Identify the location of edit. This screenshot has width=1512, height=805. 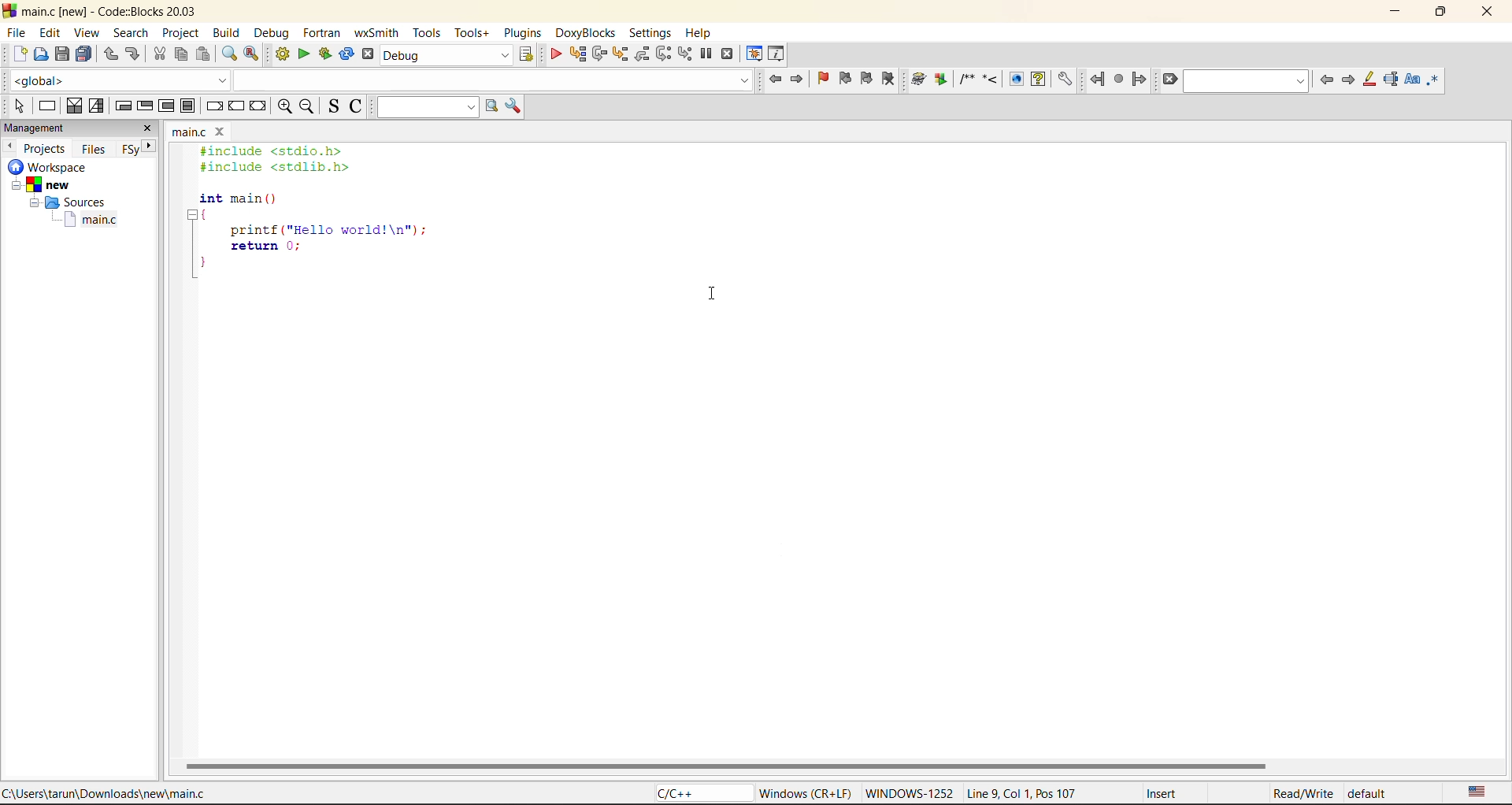
(50, 32).